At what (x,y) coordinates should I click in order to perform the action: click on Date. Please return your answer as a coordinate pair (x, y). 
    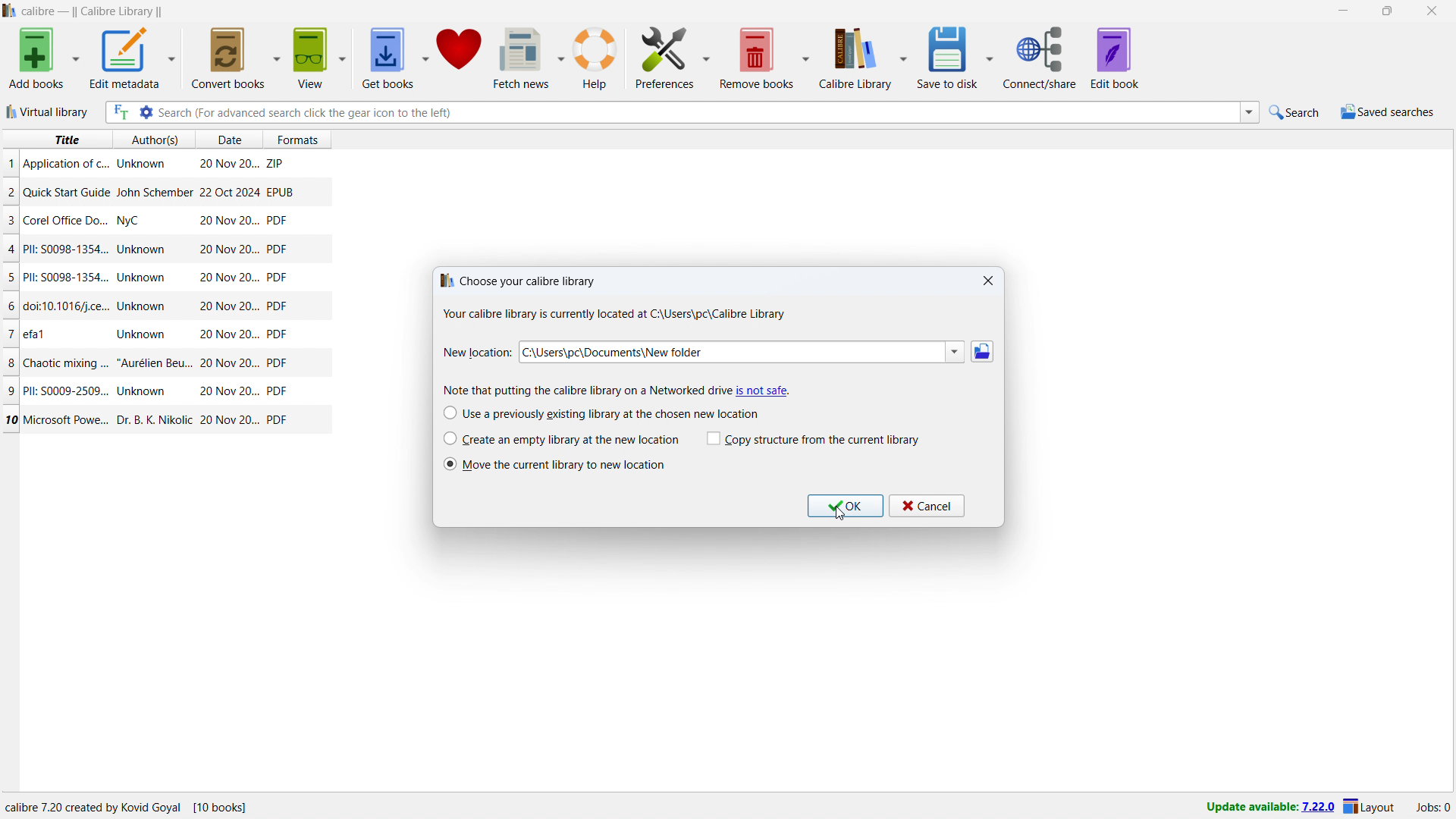
    Looking at the image, I should click on (230, 421).